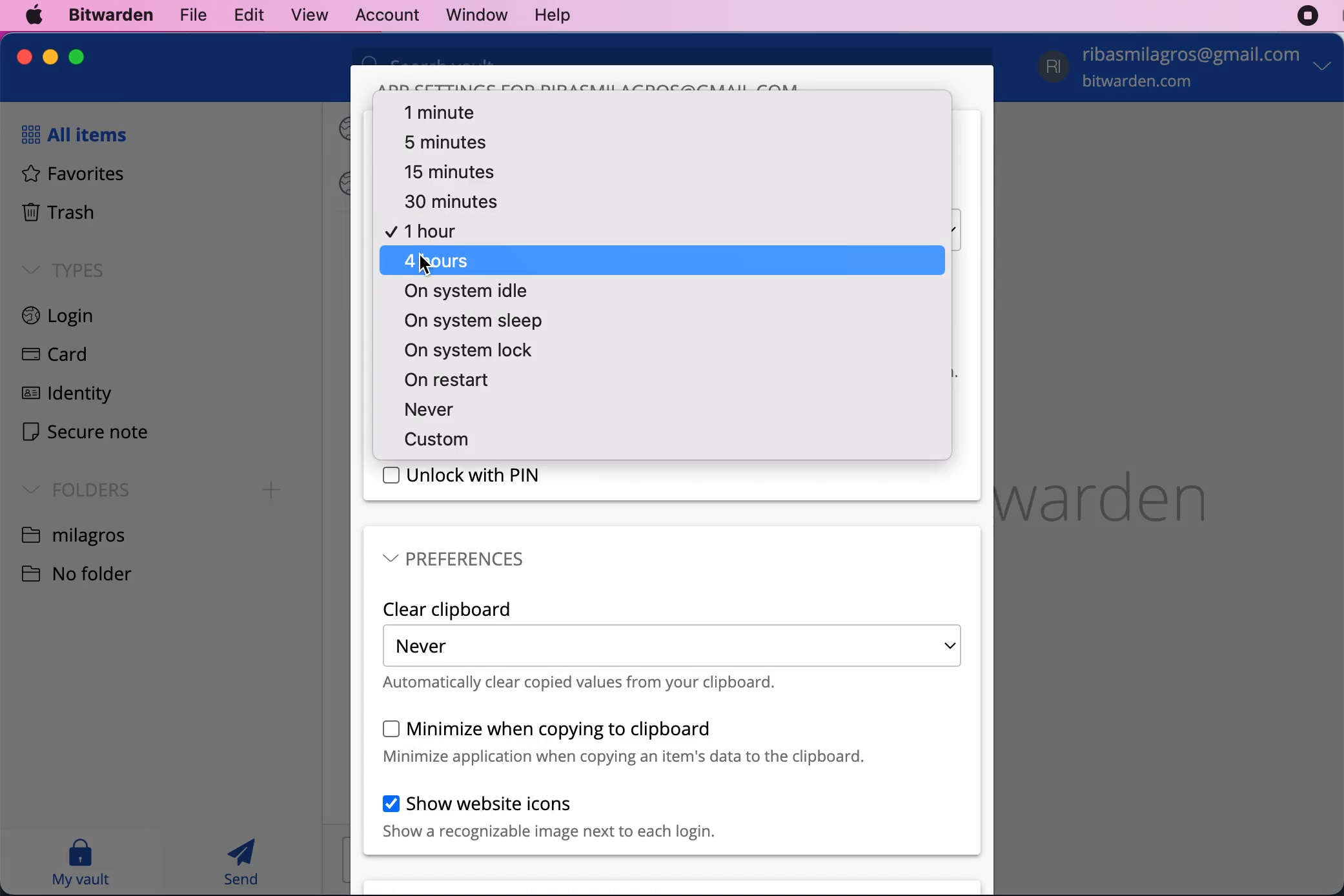 The image size is (1344, 896). I want to click on send, so click(243, 862).